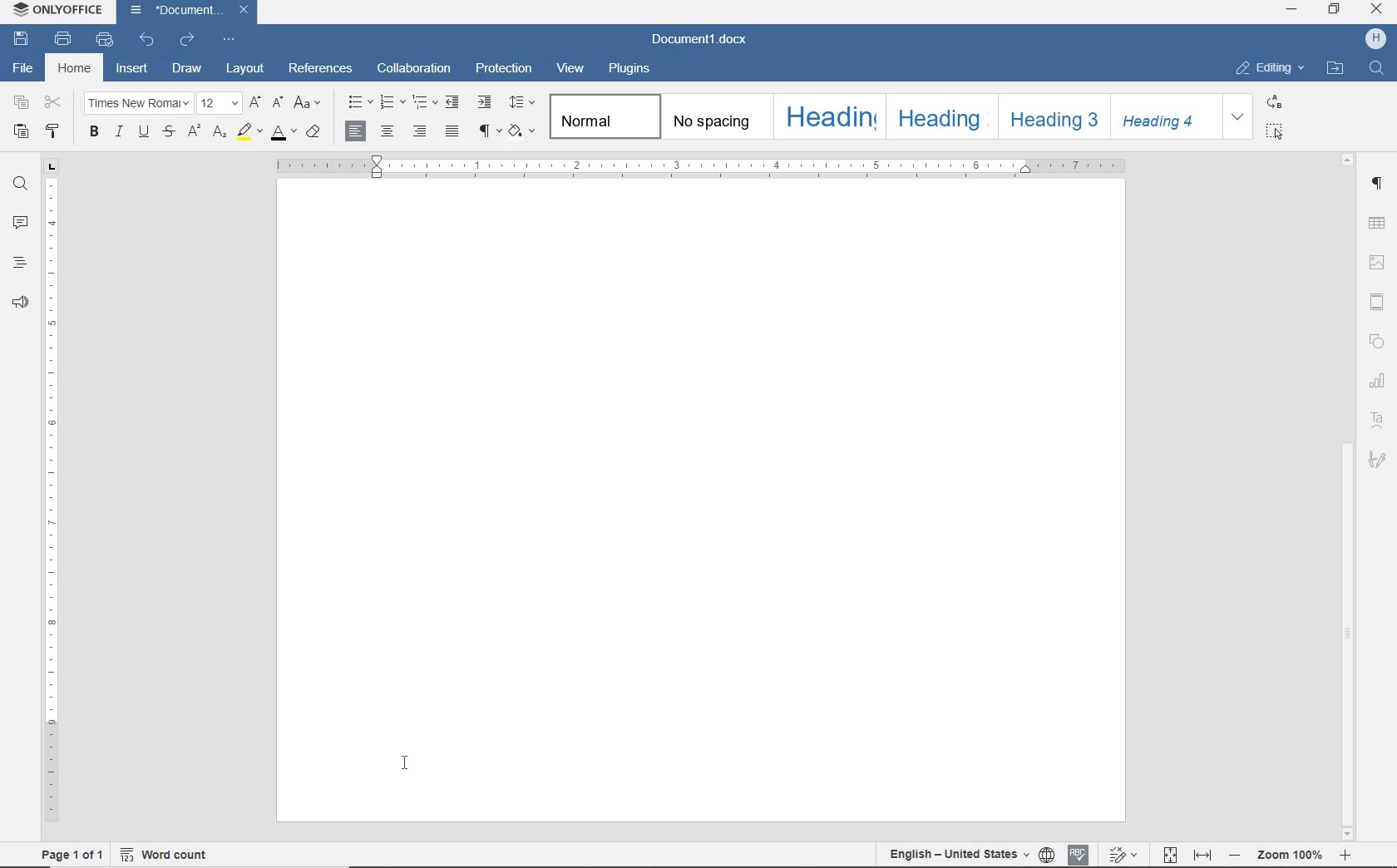  What do you see at coordinates (93, 132) in the screenshot?
I see `BOLD` at bounding box center [93, 132].